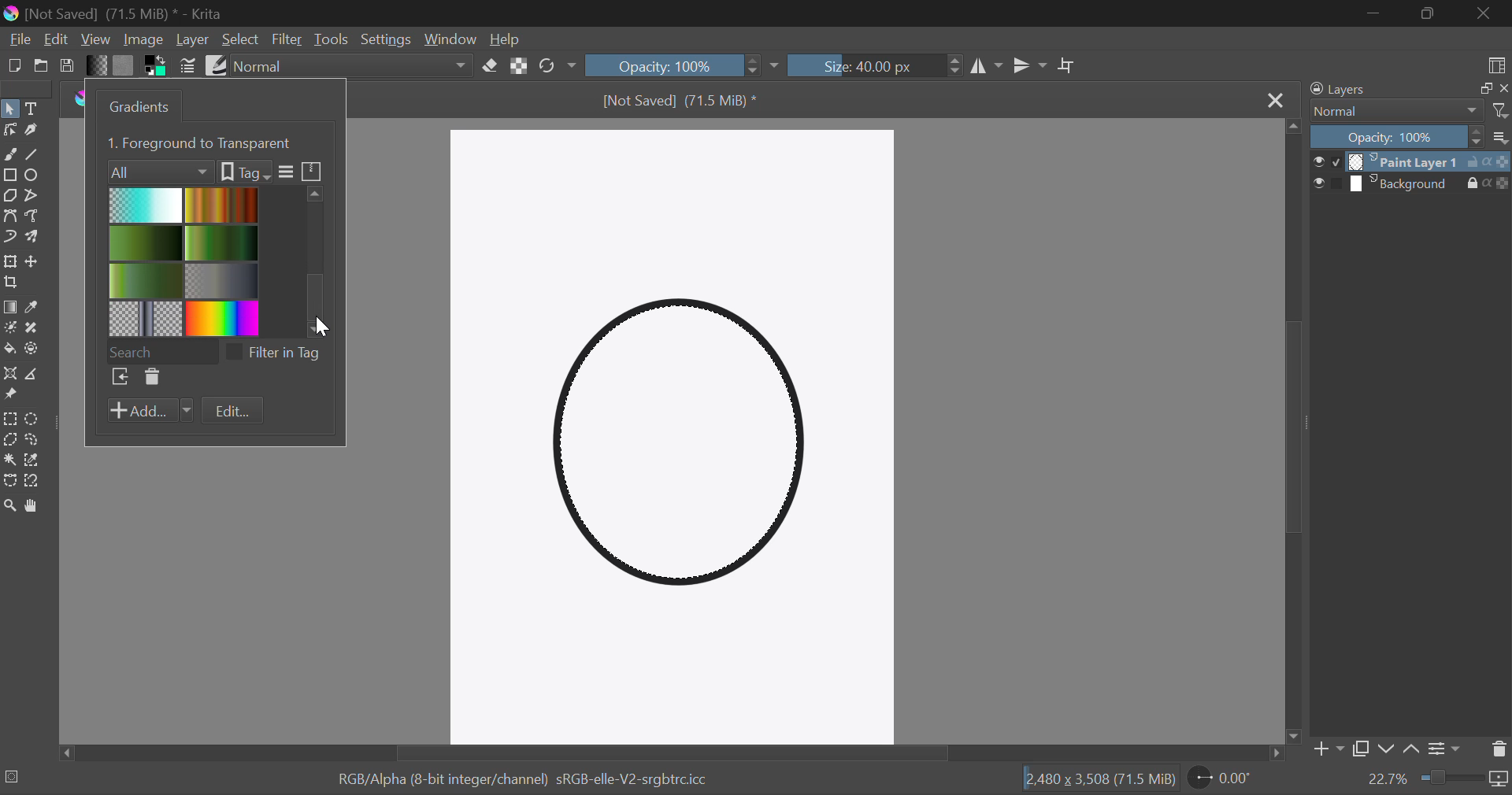 Image resolution: width=1512 pixels, height=795 pixels. I want to click on actions, so click(1488, 183).